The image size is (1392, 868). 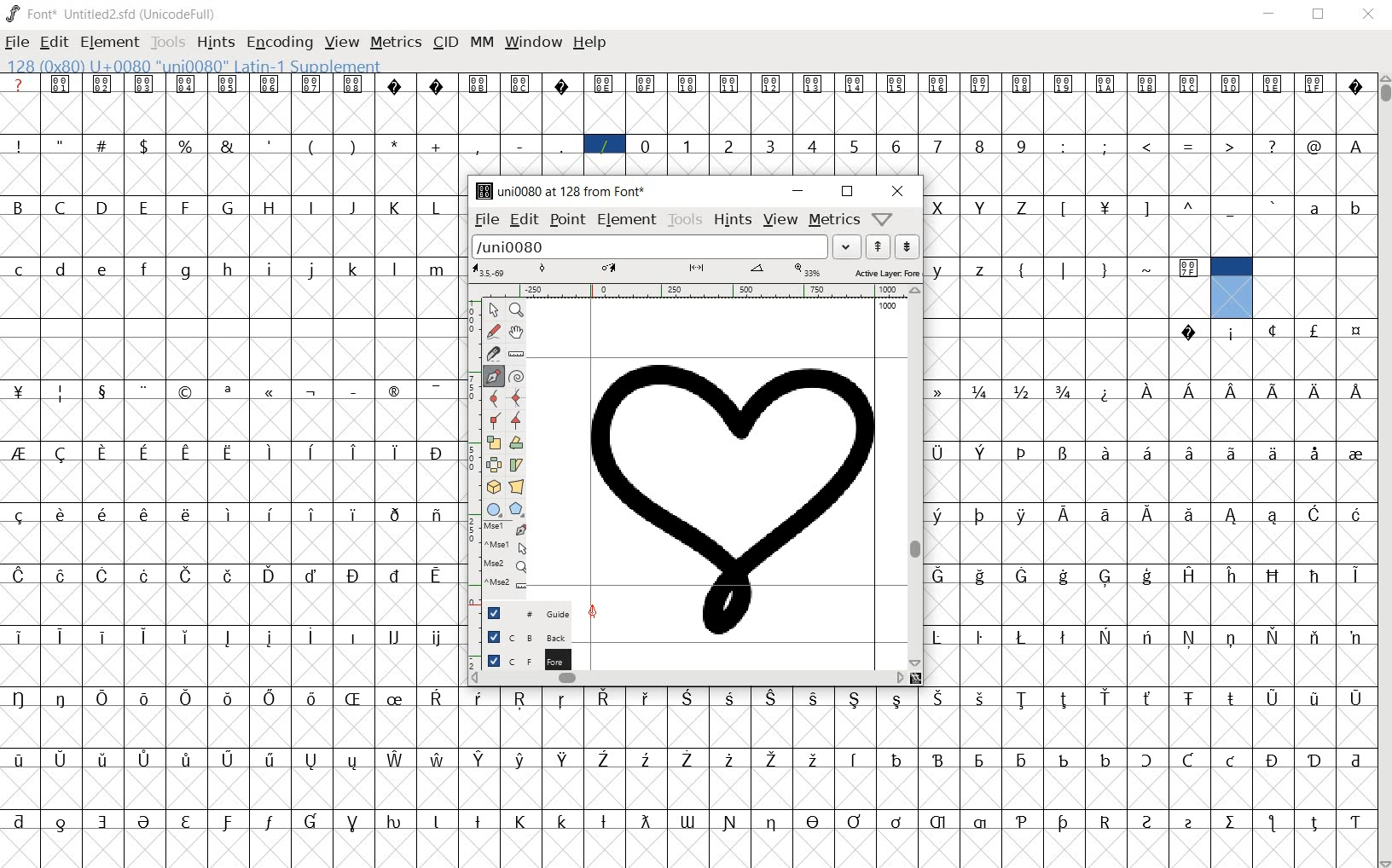 I want to click on glyph, so click(x=1147, y=146).